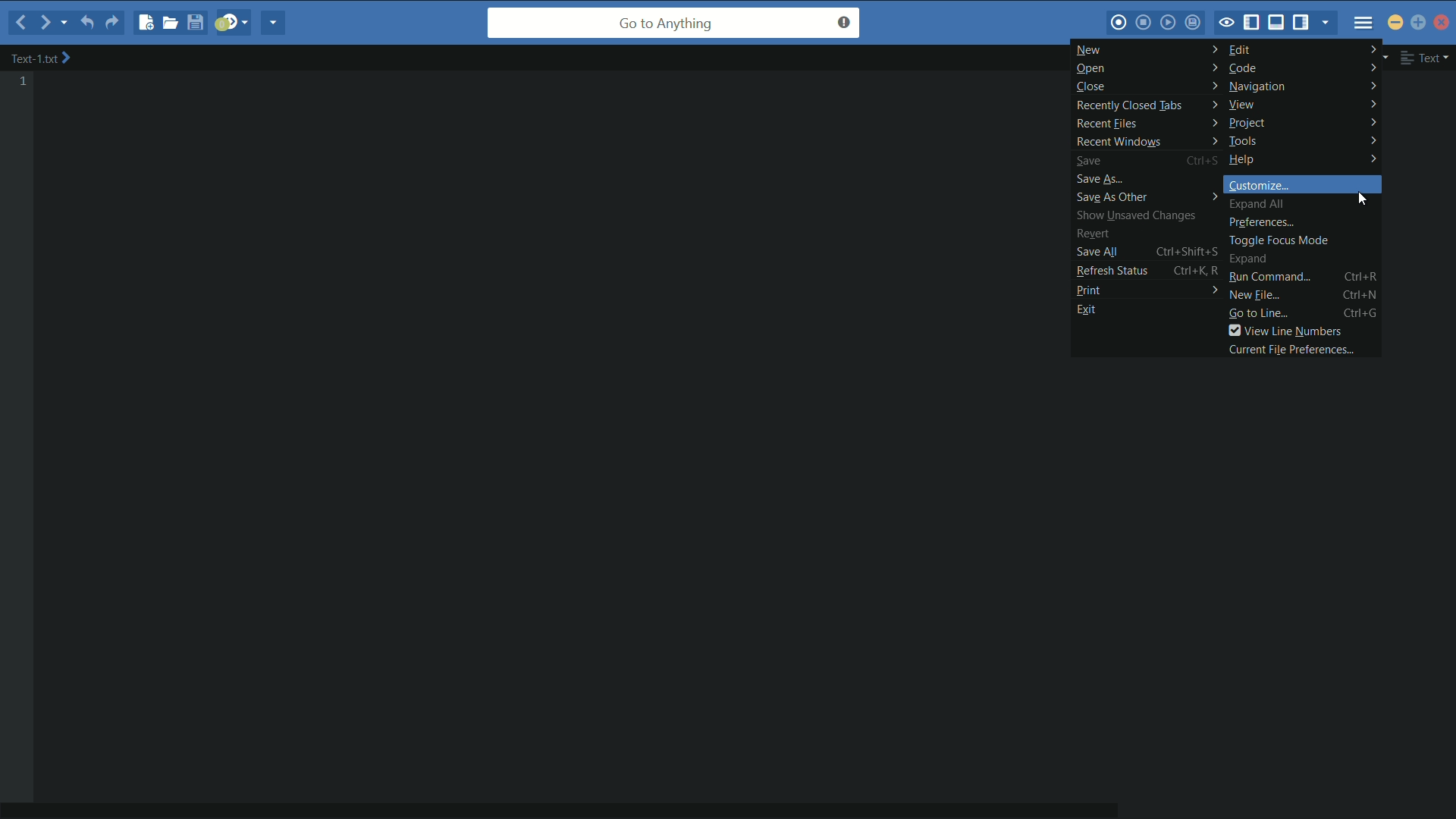  What do you see at coordinates (1185, 251) in the screenshot?
I see `Ctrl+Shift+S` at bounding box center [1185, 251].